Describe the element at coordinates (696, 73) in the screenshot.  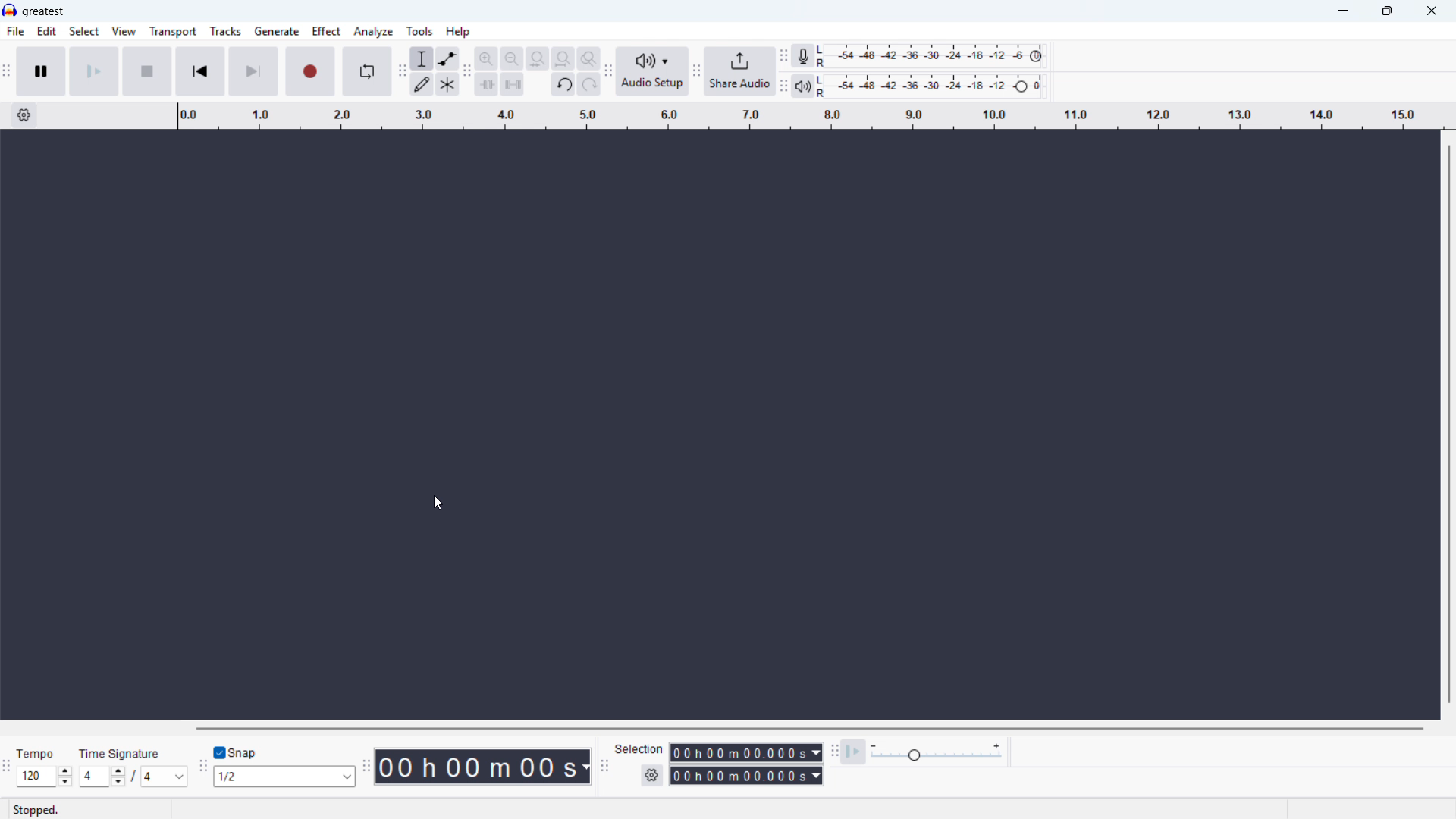
I see `share audio toolbar` at that location.